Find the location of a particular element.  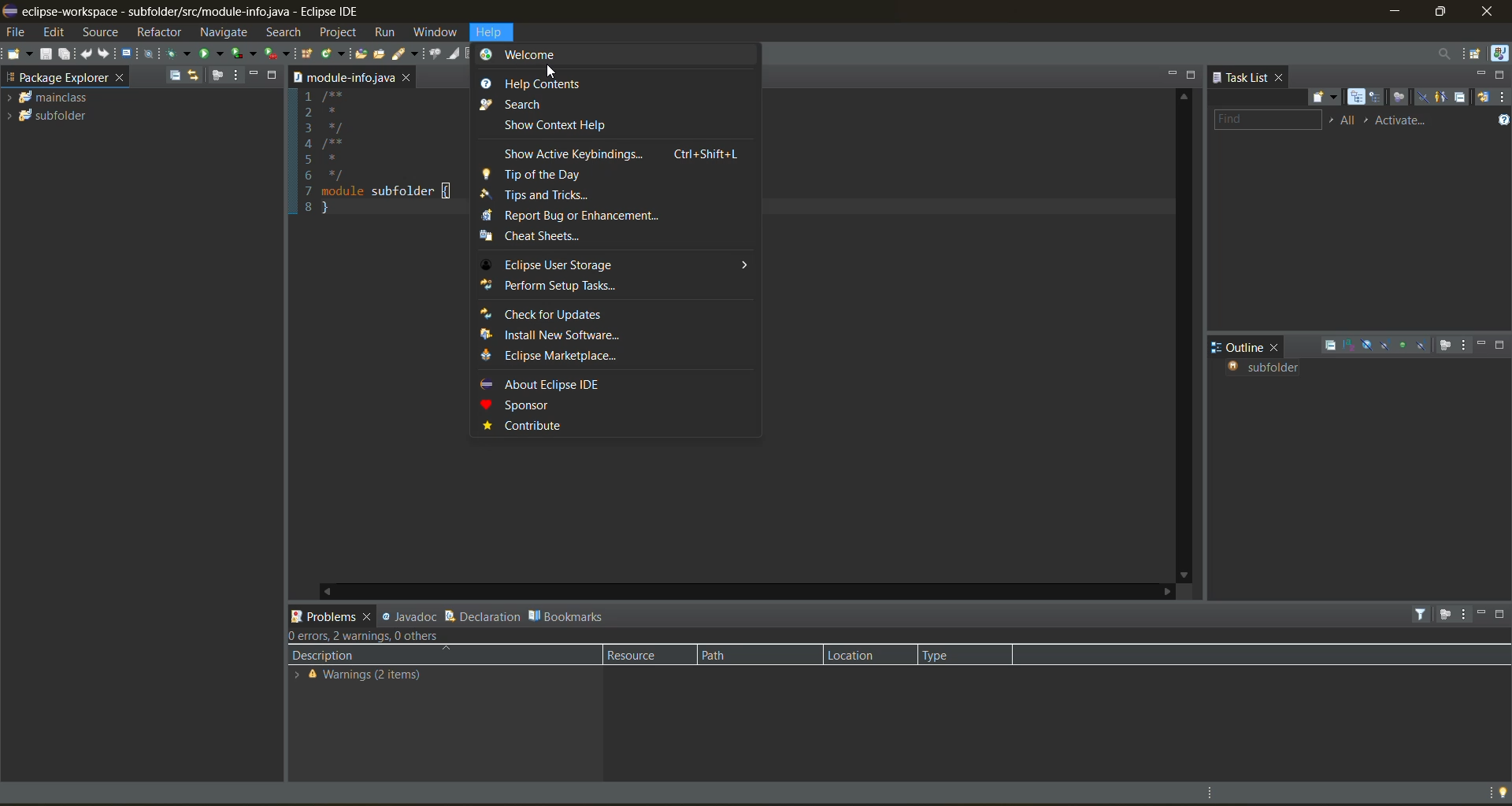

description is located at coordinates (332, 657).